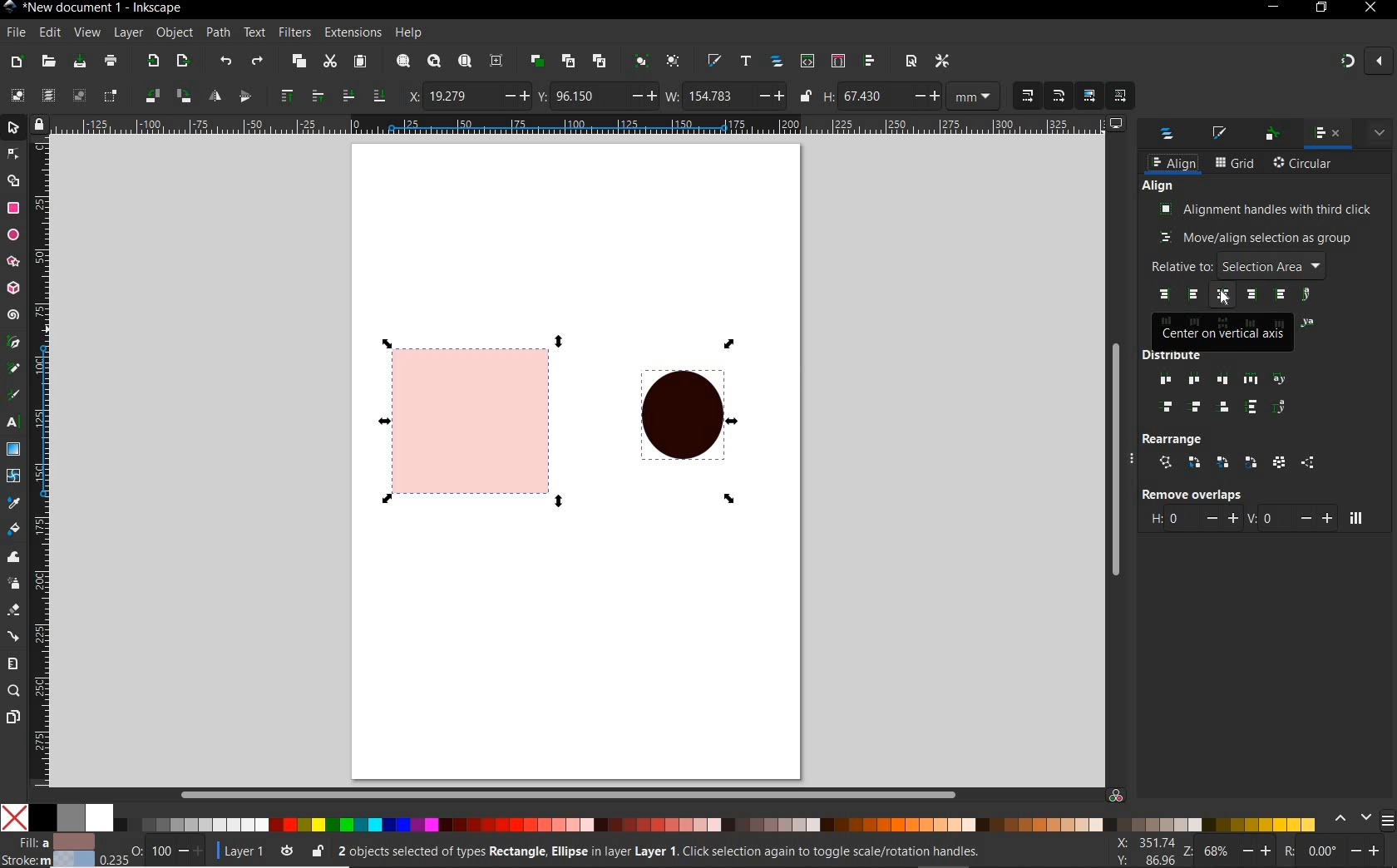 The height and width of the screenshot is (868, 1397). I want to click on toggle selection box, so click(111, 96).